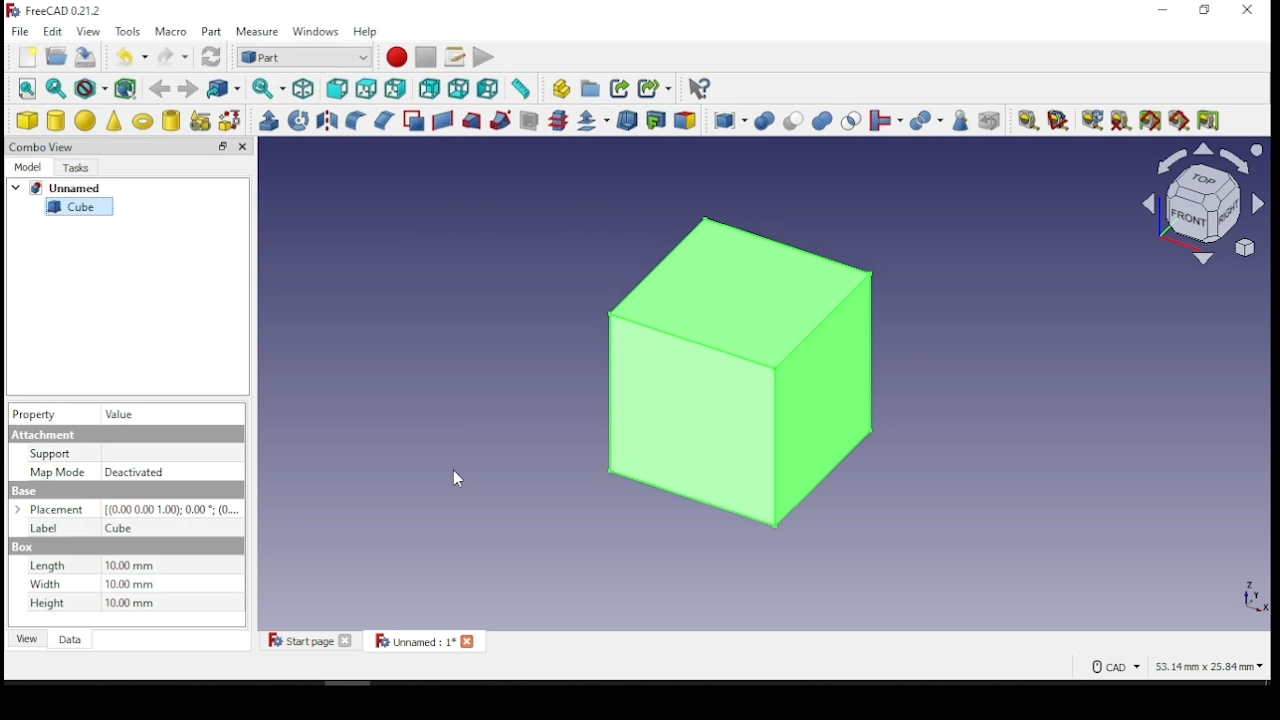 The width and height of the screenshot is (1280, 720). Describe the element at coordinates (627, 121) in the screenshot. I see `thickness` at that location.